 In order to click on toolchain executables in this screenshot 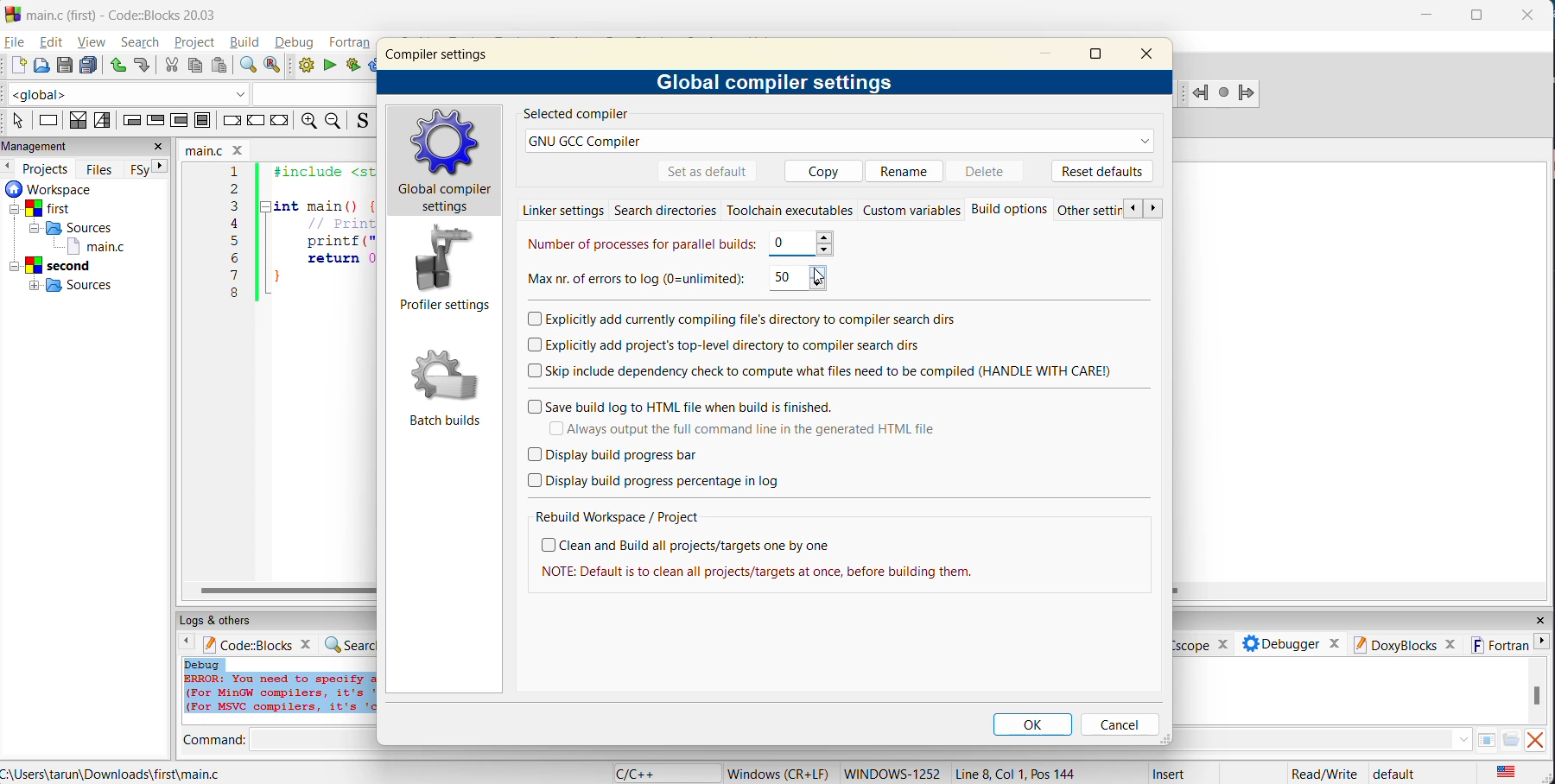, I will do `click(789, 209)`.